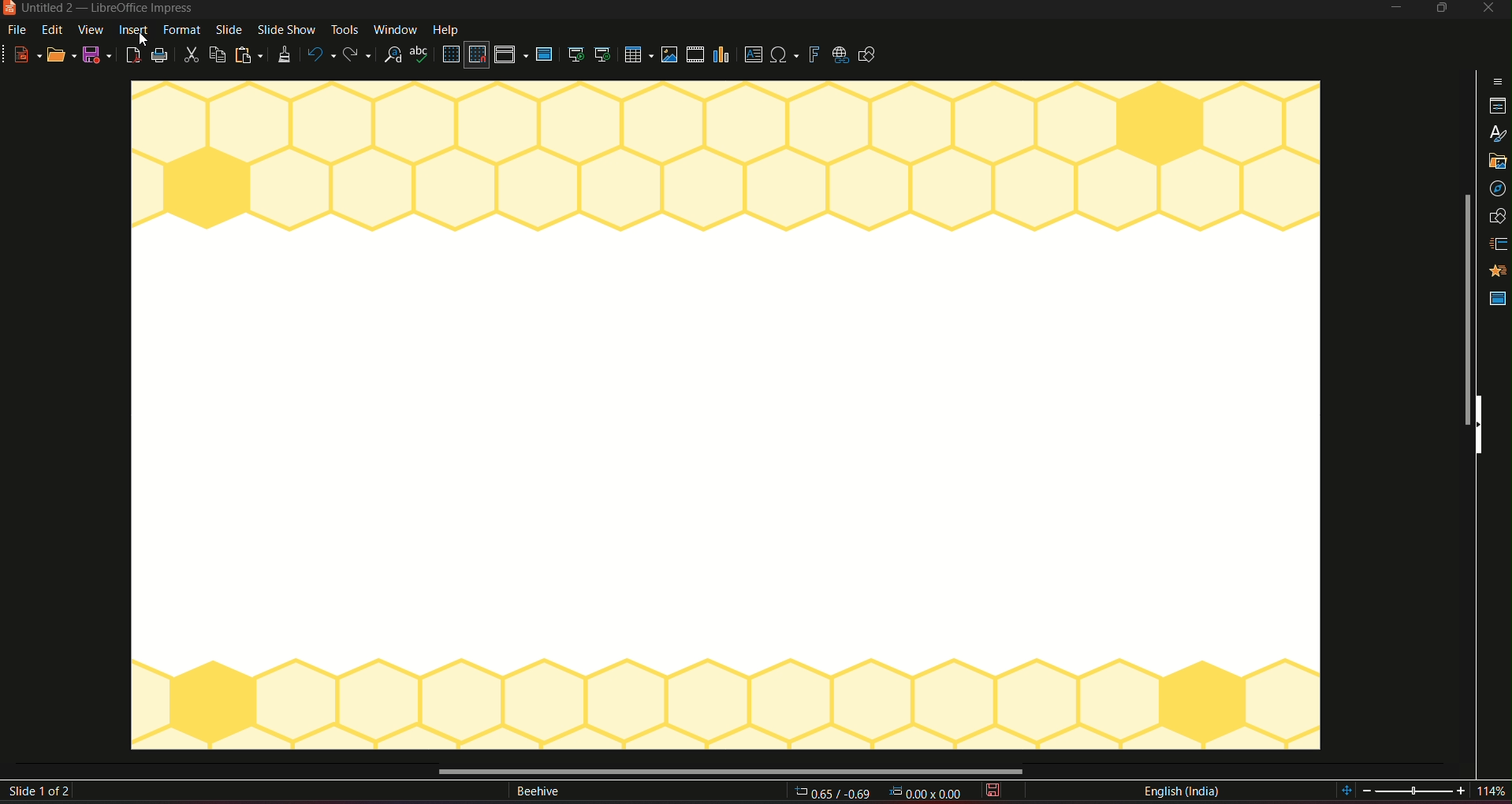  What do you see at coordinates (839, 54) in the screenshot?
I see `insert hyperlink` at bounding box center [839, 54].